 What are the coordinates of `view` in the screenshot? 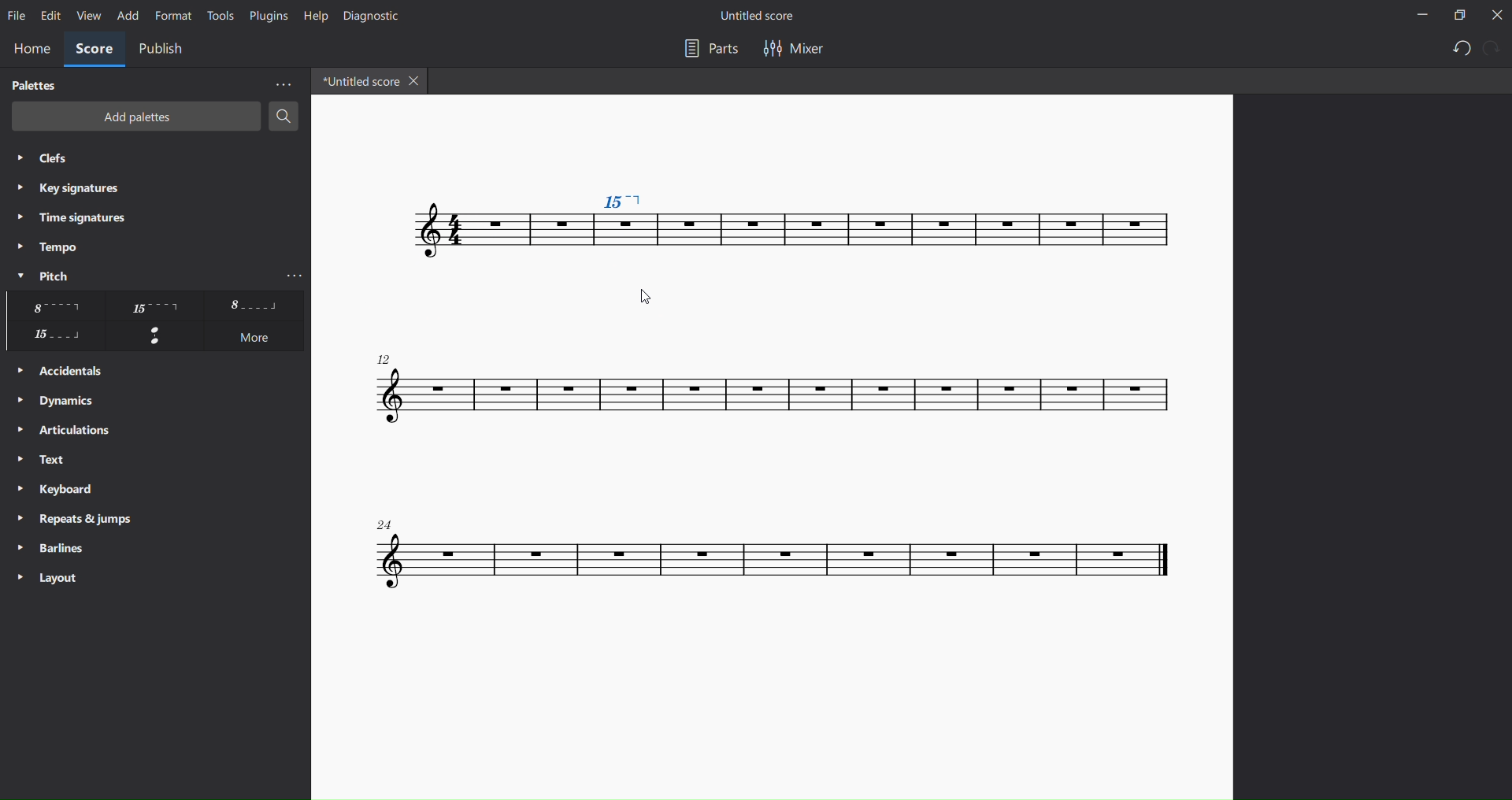 It's located at (87, 16).